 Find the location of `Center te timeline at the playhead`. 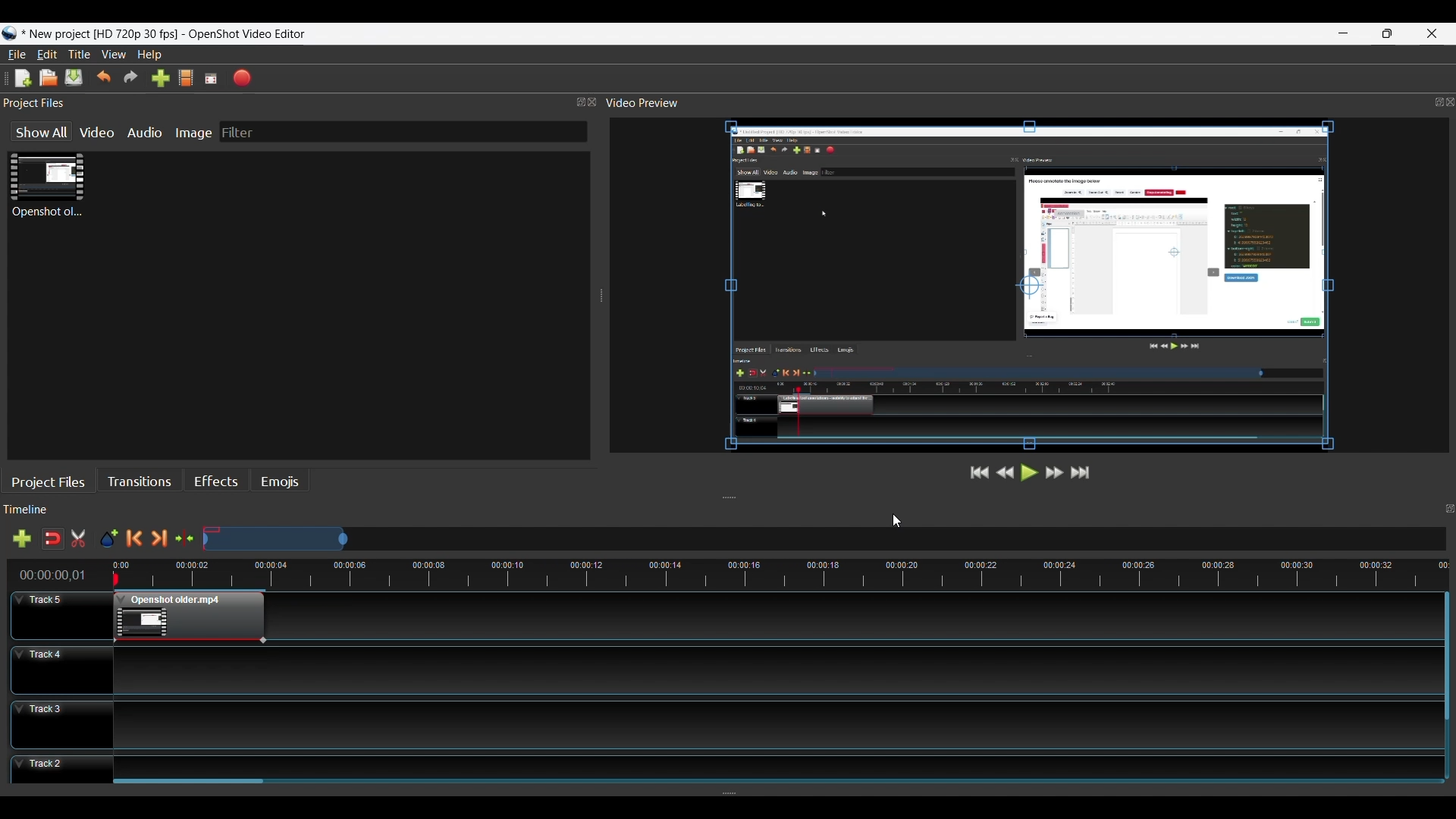

Center te timeline at the playhead is located at coordinates (185, 539).